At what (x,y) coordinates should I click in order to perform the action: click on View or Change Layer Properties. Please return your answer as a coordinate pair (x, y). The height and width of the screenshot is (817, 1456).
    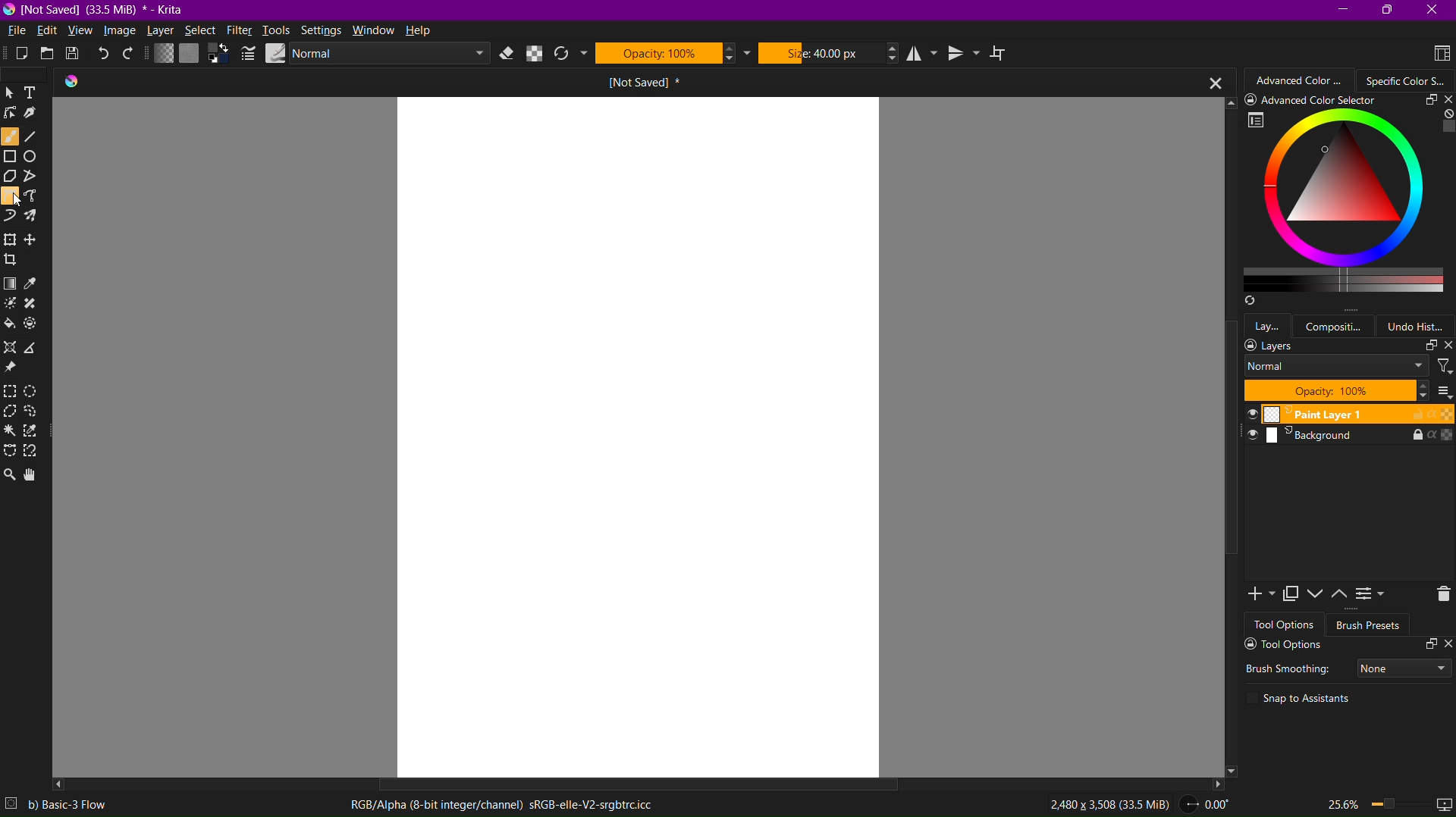
    Looking at the image, I should click on (1372, 596).